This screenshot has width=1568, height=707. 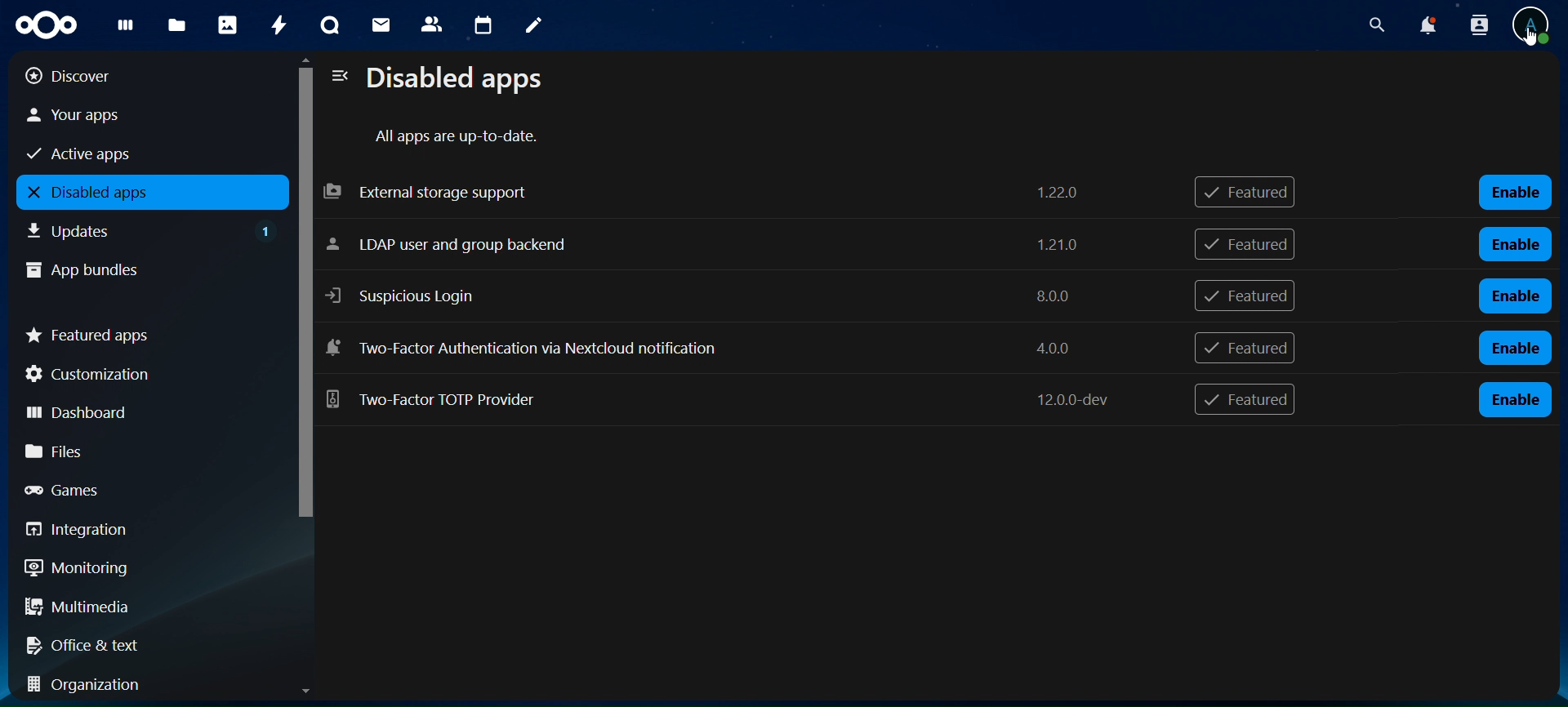 What do you see at coordinates (1518, 193) in the screenshot?
I see `nabled` at bounding box center [1518, 193].